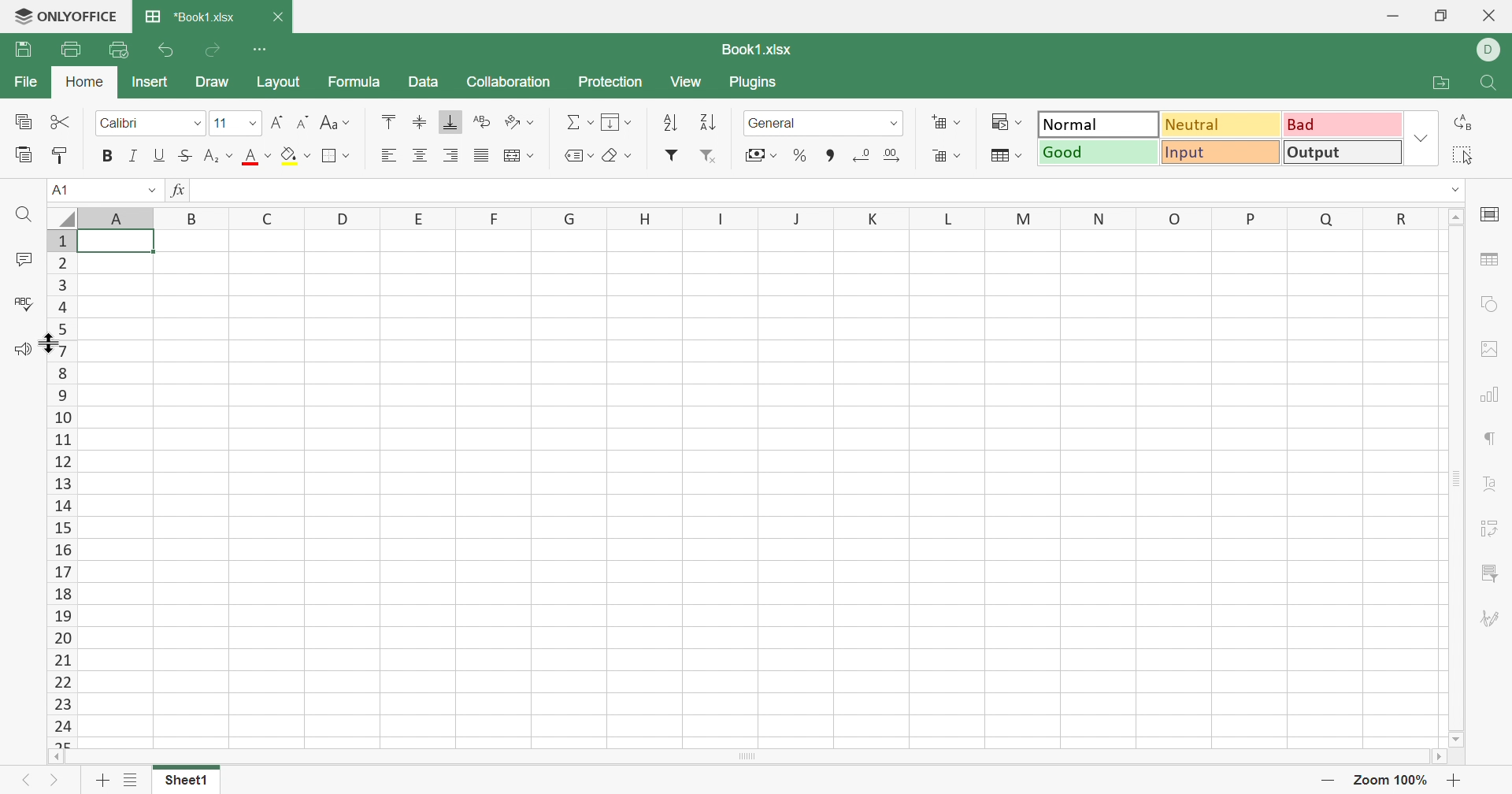 The width and height of the screenshot is (1512, 794). I want to click on chart settings, so click(1489, 397).